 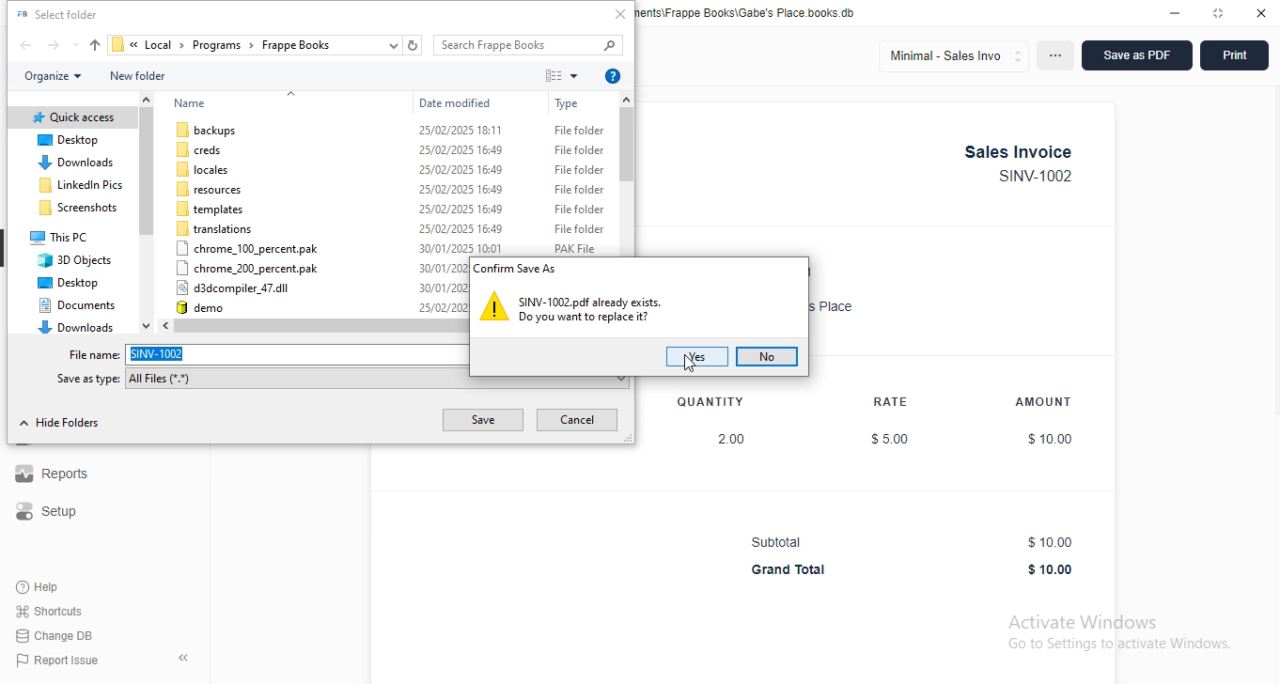 I want to click on previous locations, so click(x=393, y=45).